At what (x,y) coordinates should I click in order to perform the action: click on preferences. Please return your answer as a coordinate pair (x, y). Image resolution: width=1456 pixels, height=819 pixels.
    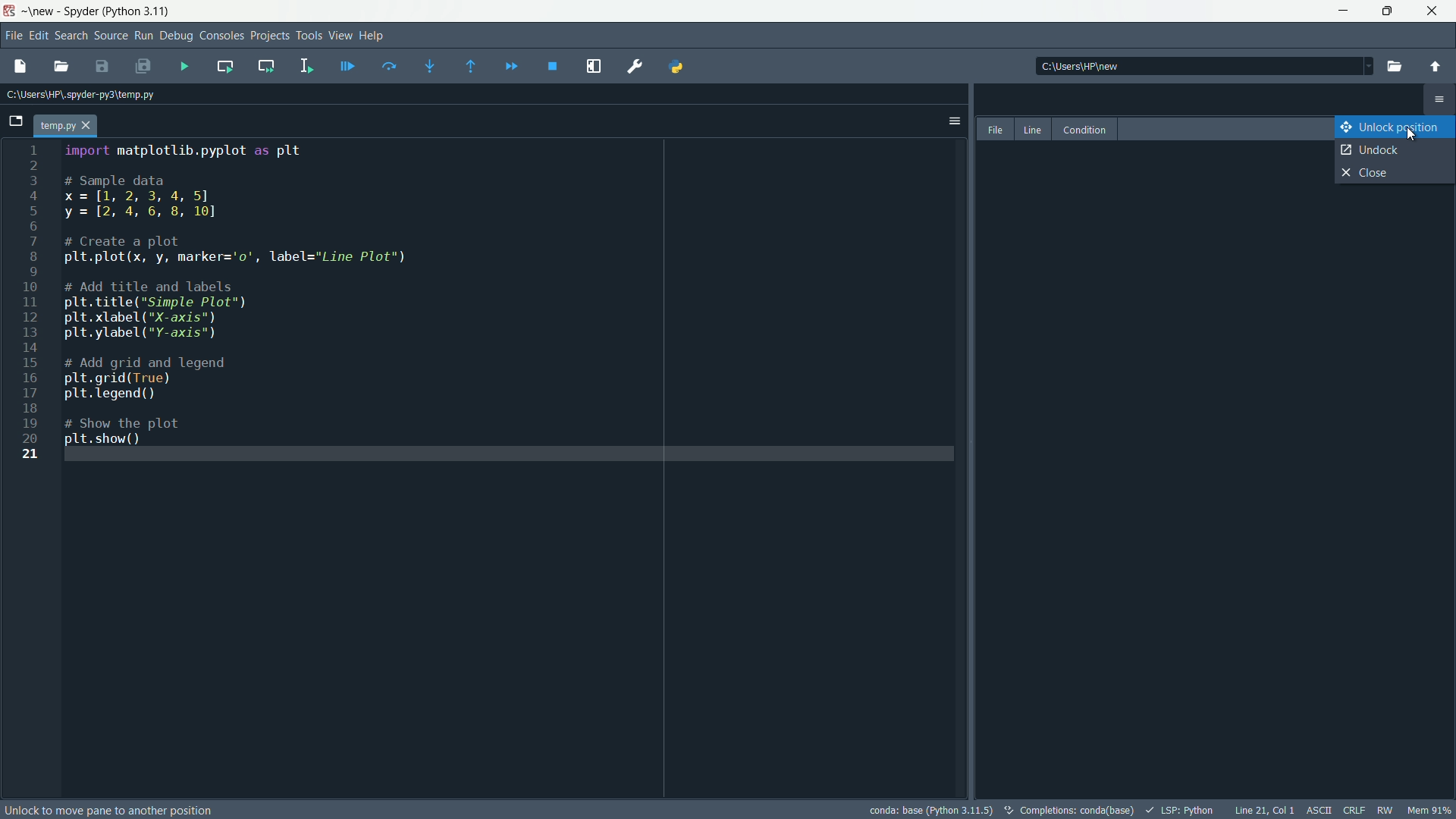
    Looking at the image, I should click on (635, 65).